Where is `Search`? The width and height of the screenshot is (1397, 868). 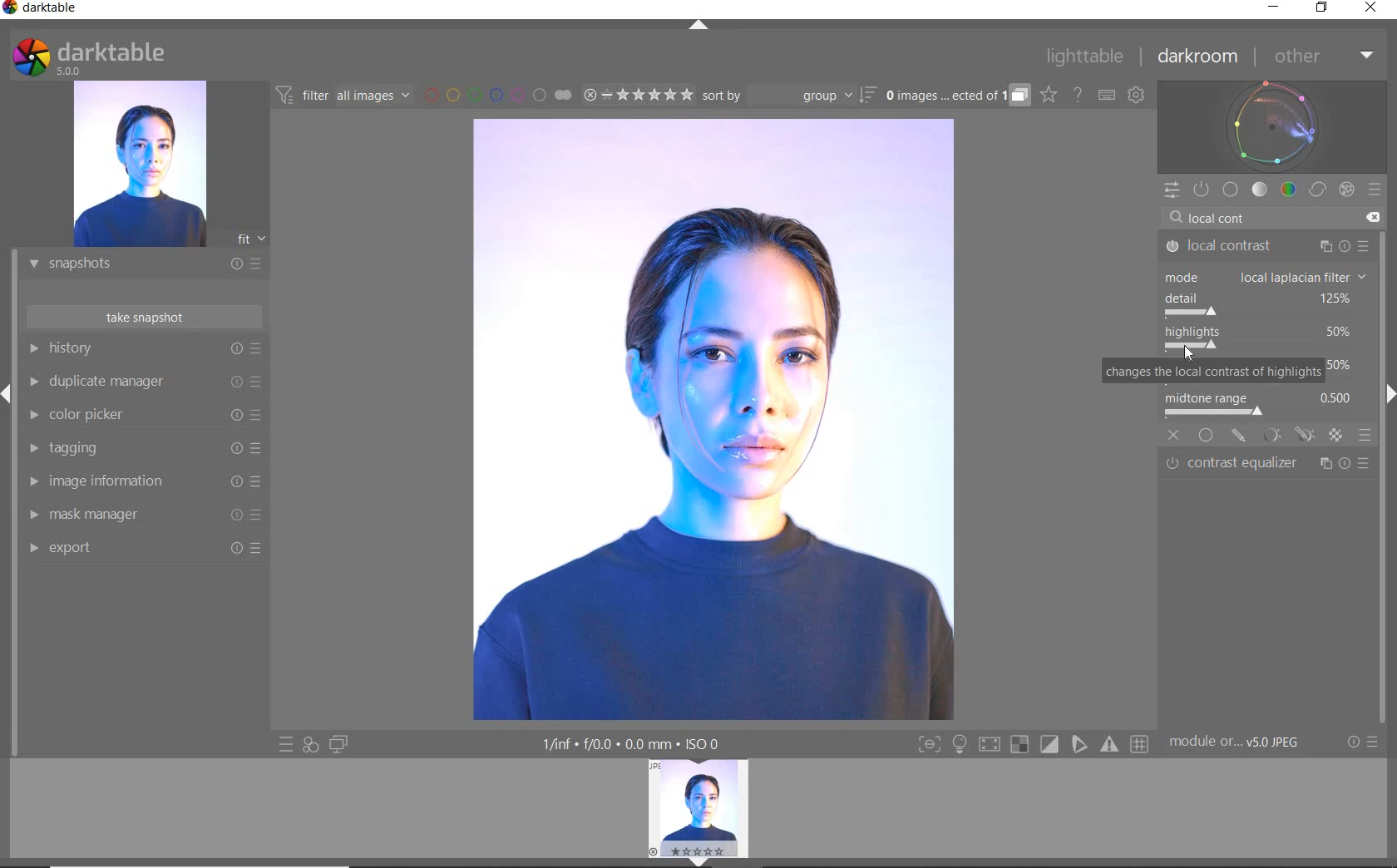 Search is located at coordinates (1176, 218).